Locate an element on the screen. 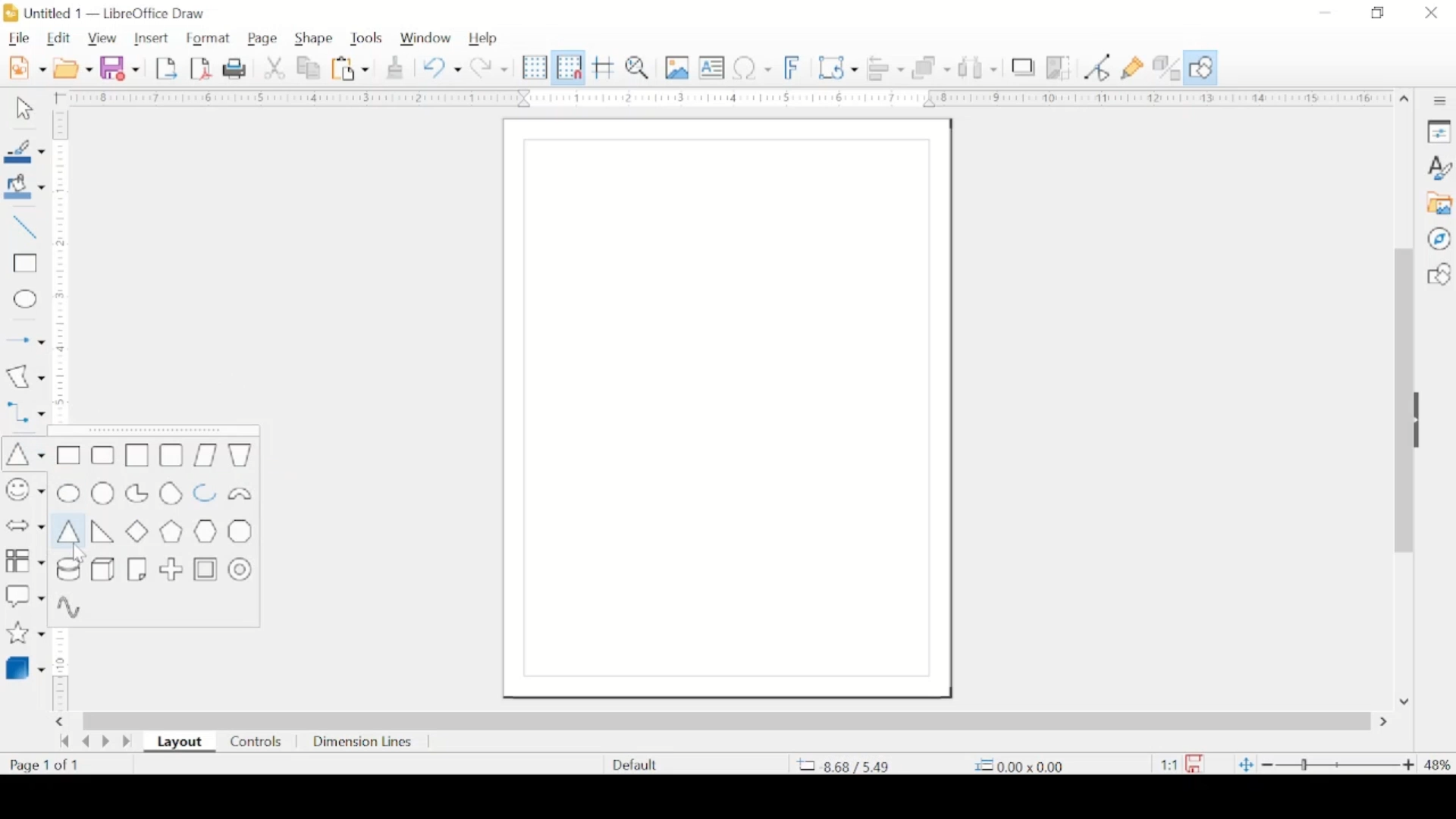 The width and height of the screenshot is (1456, 819). ellipse is located at coordinates (70, 493).